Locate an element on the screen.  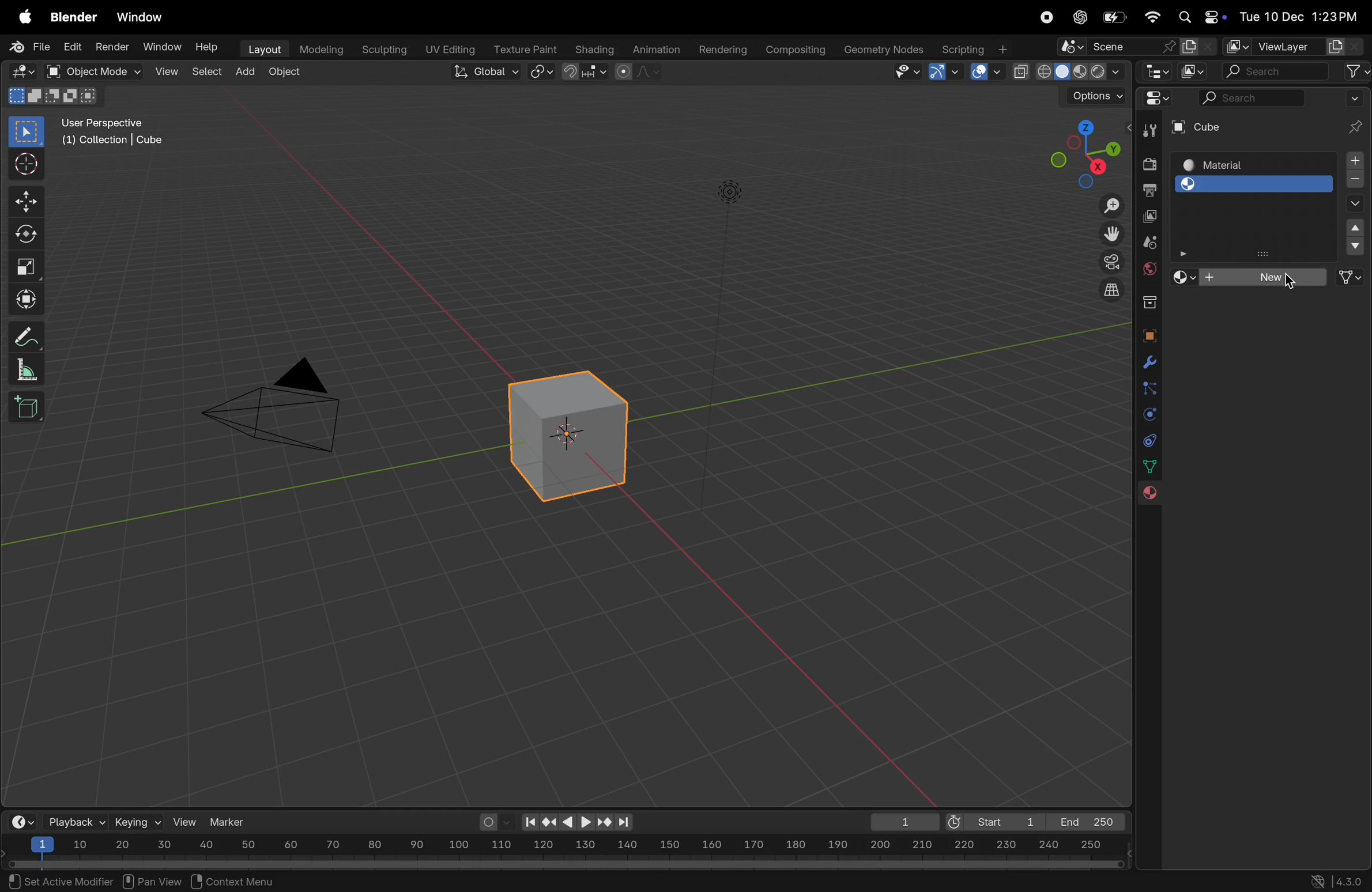
move is located at coordinates (25, 202).